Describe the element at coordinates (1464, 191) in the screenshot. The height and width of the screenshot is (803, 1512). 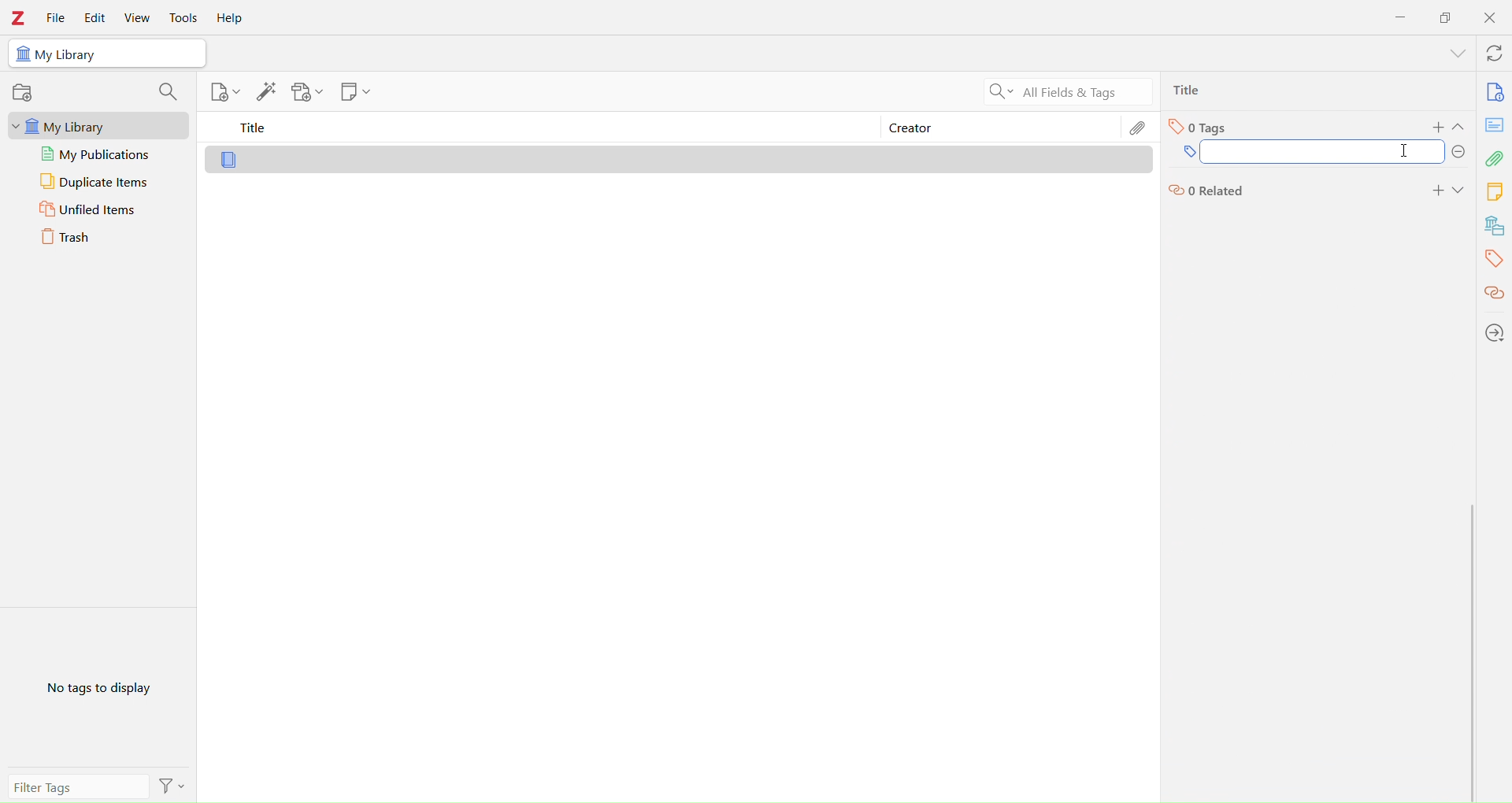
I see `Expand section` at that location.